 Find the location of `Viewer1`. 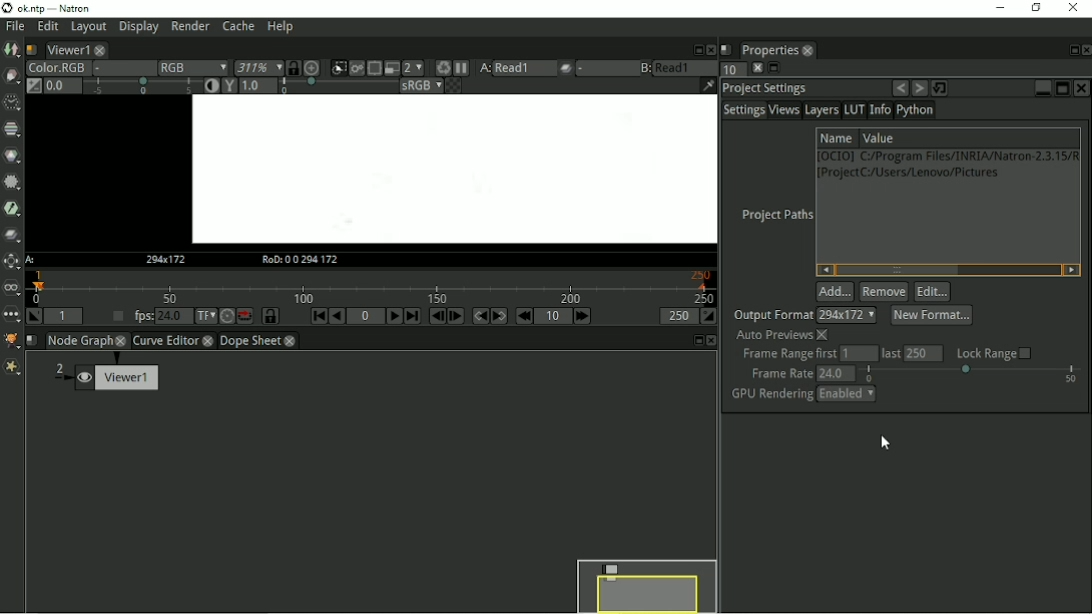

Viewer1 is located at coordinates (103, 374).